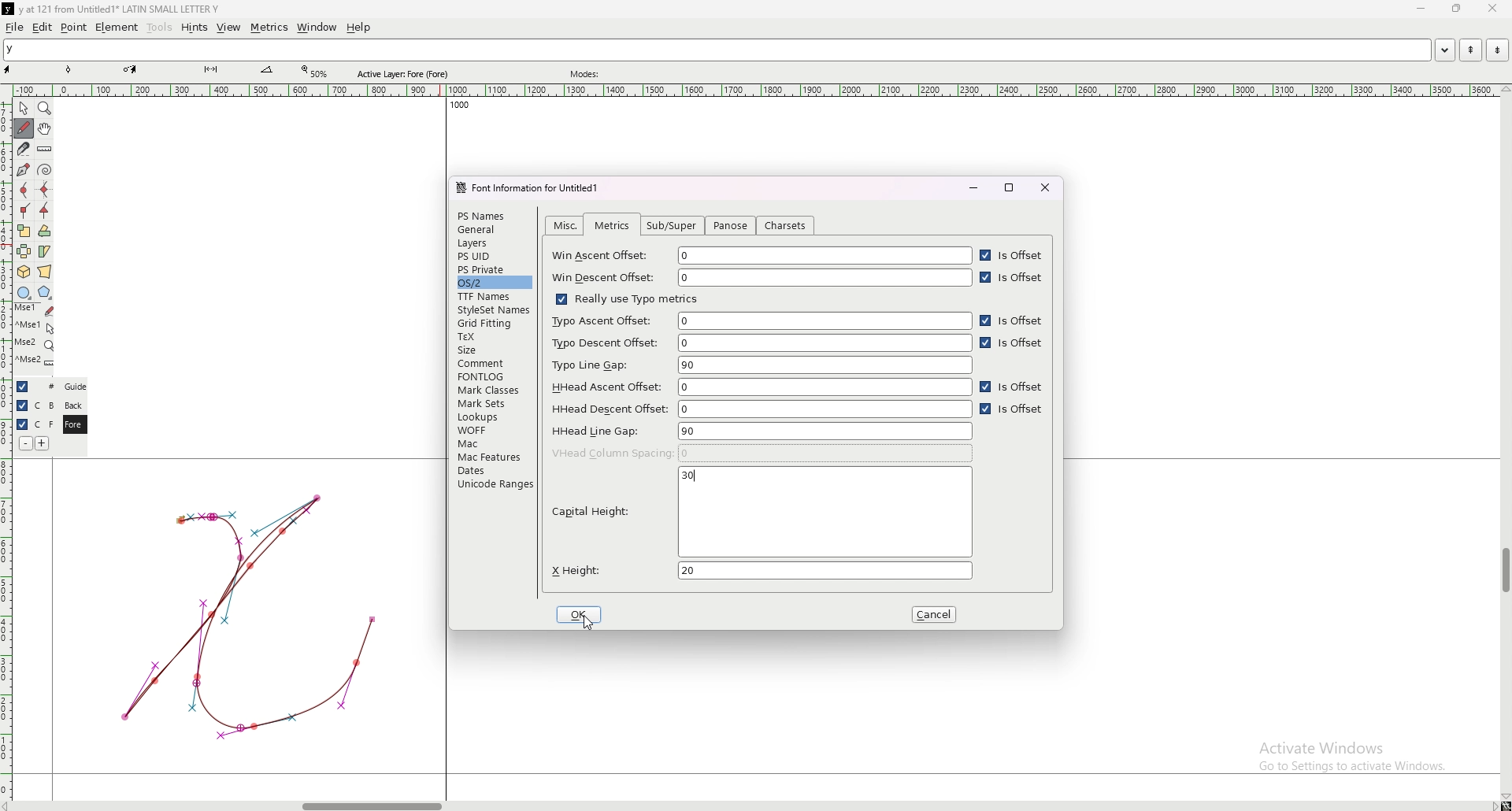 This screenshot has width=1512, height=811. Describe the element at coordinates (1013, 411) in the screenshot. I see `is offset` at that location.